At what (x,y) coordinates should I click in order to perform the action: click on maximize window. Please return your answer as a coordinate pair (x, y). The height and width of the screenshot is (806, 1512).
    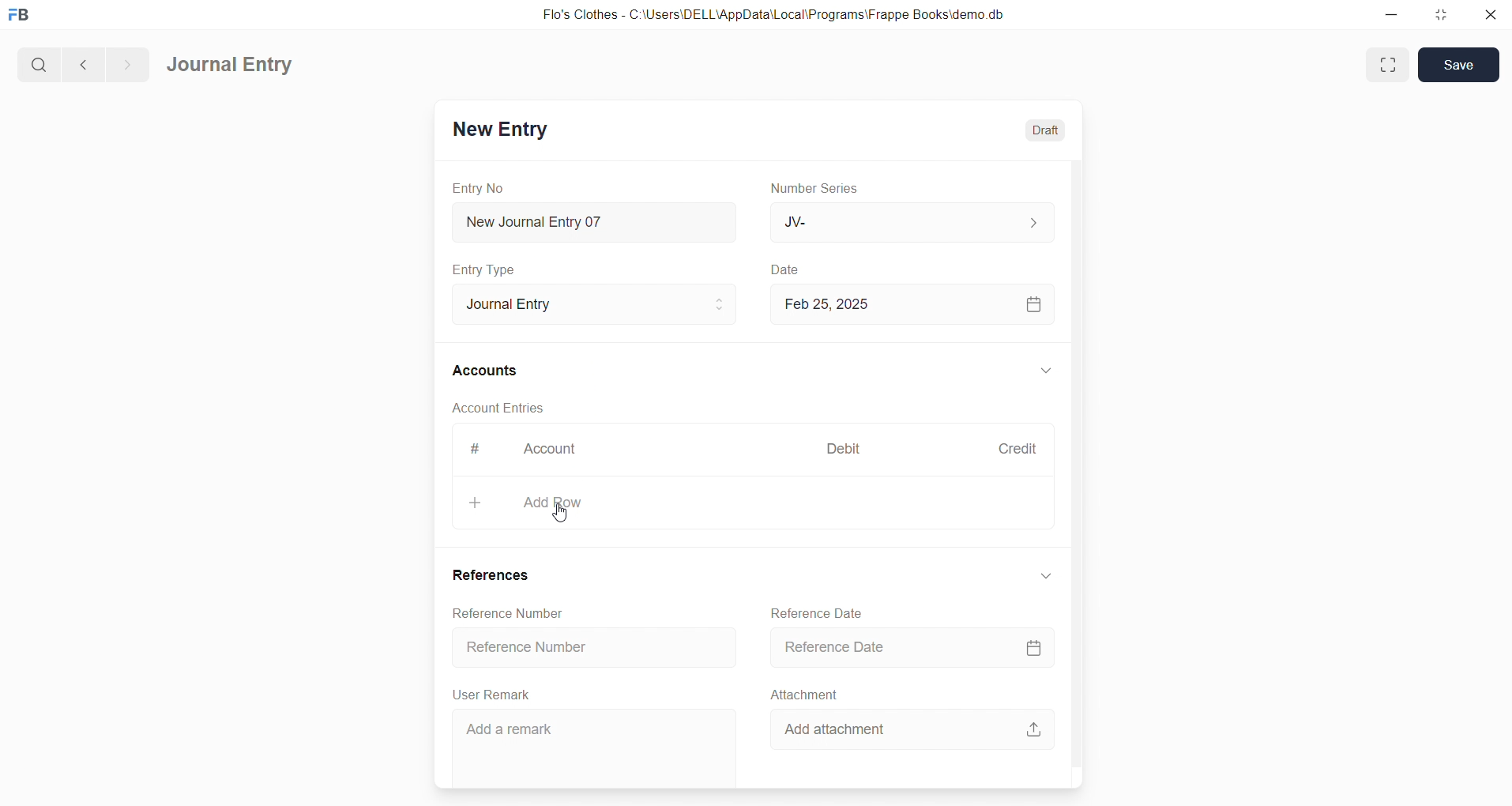
    Looking at the image, I should click on (1390, 65).